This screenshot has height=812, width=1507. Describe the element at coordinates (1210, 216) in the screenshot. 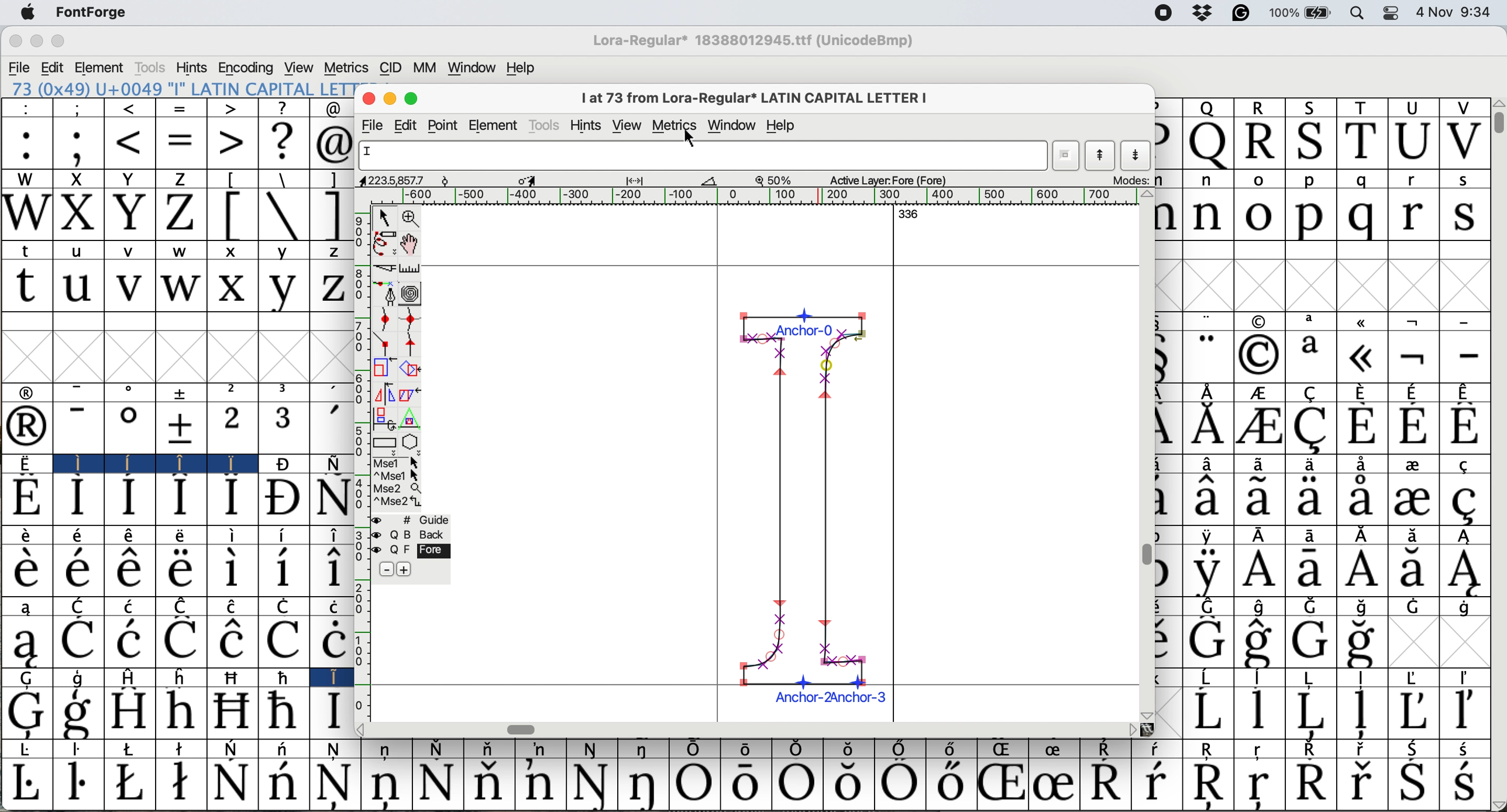

I see `n` at that location.